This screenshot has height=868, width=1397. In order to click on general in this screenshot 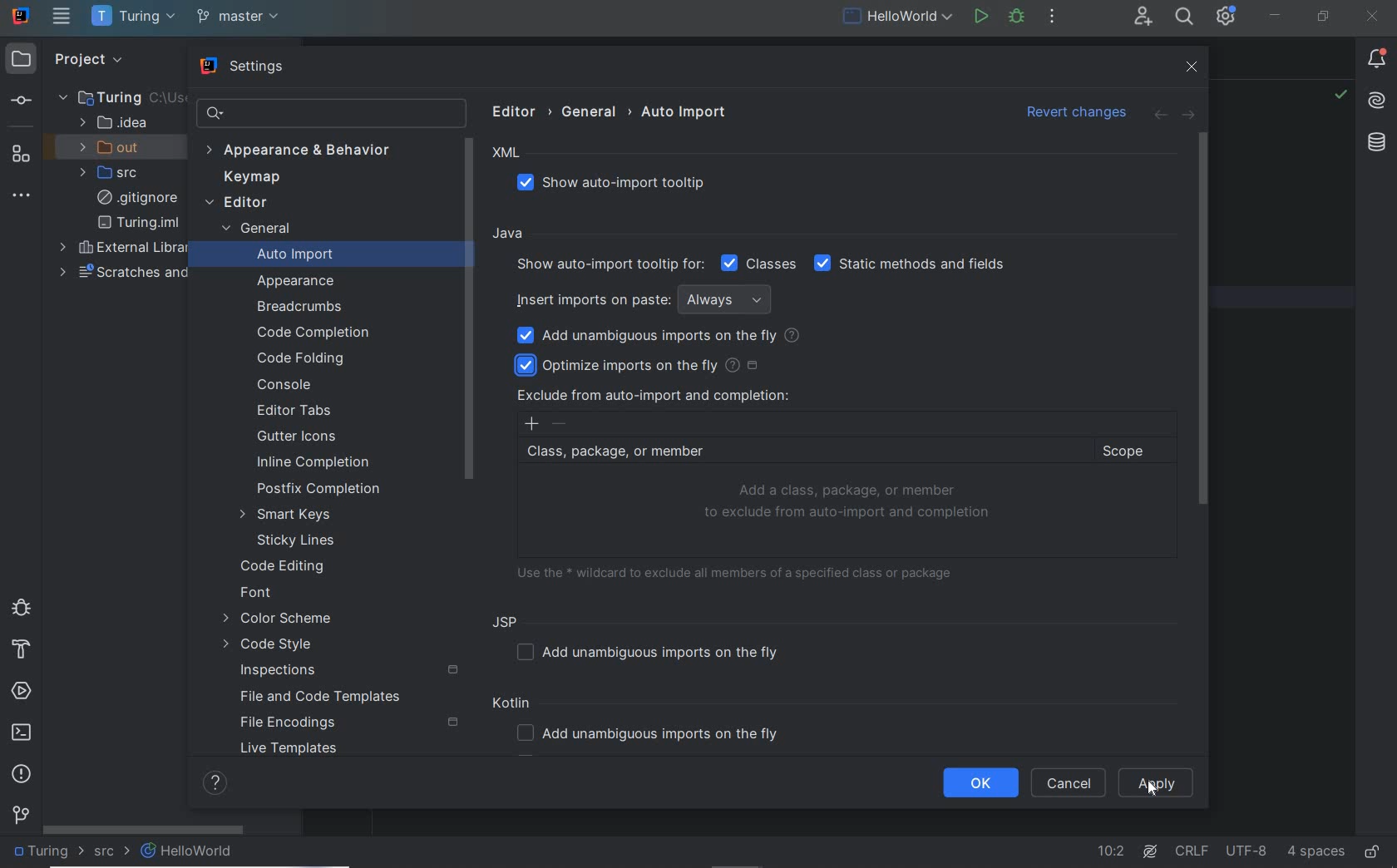, I will do `click(592, 111)`.